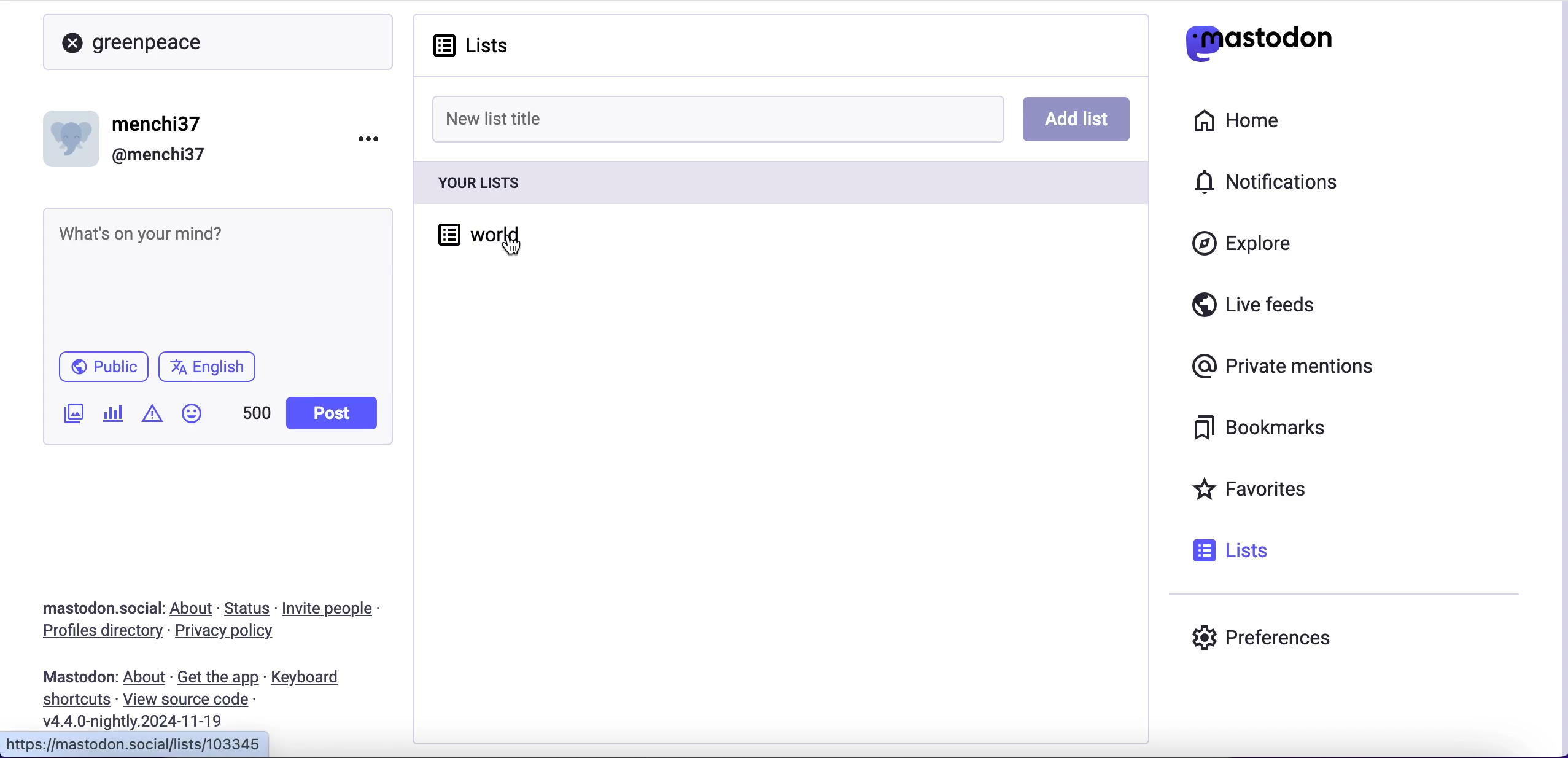 The image size is (1568, 758). I want to click on scroll bar, so click(1559, 378).